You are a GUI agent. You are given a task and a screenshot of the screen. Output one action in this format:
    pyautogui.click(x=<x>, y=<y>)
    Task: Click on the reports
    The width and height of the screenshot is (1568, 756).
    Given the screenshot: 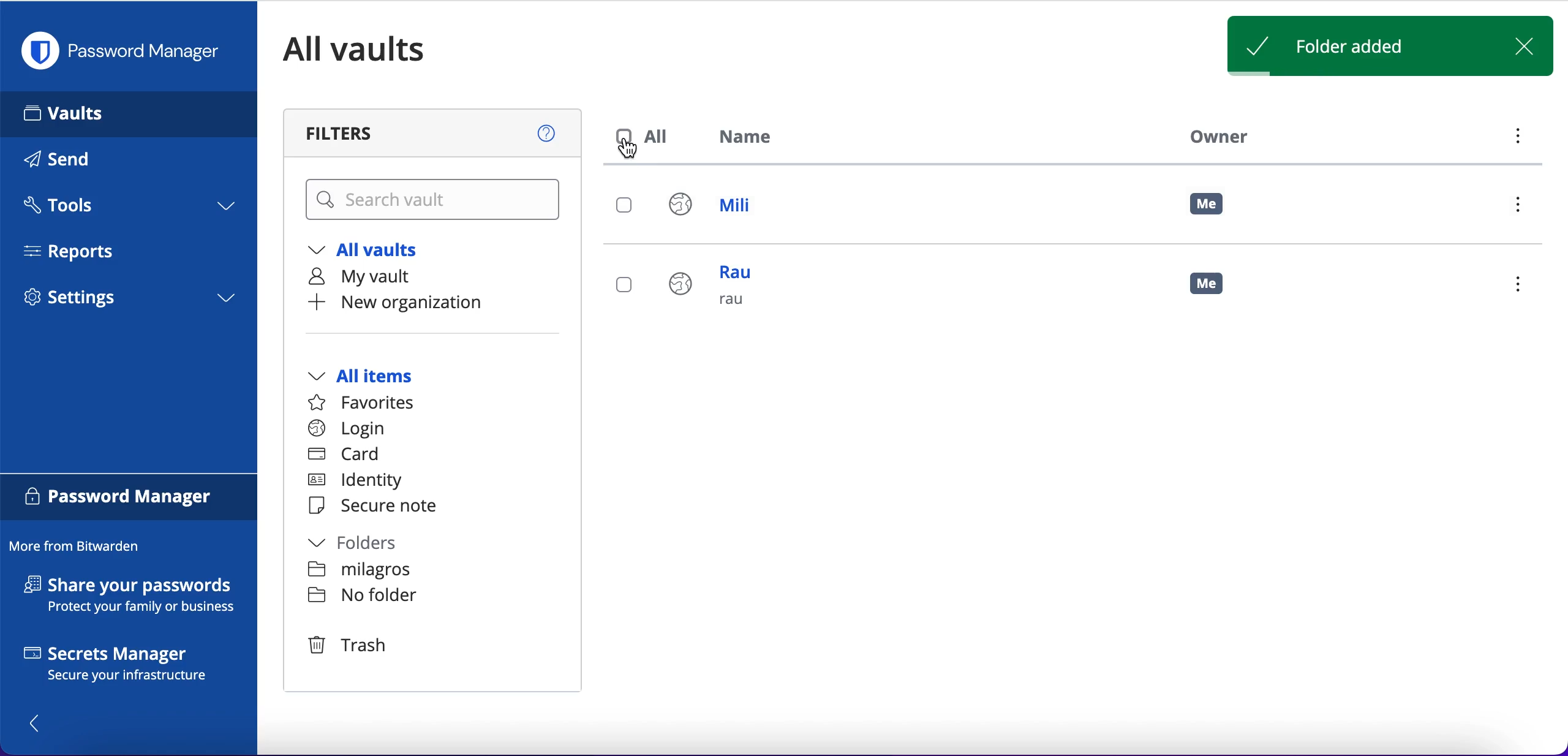 What is the action you would take?
    pyautogui.click(x=78, y=251)
    